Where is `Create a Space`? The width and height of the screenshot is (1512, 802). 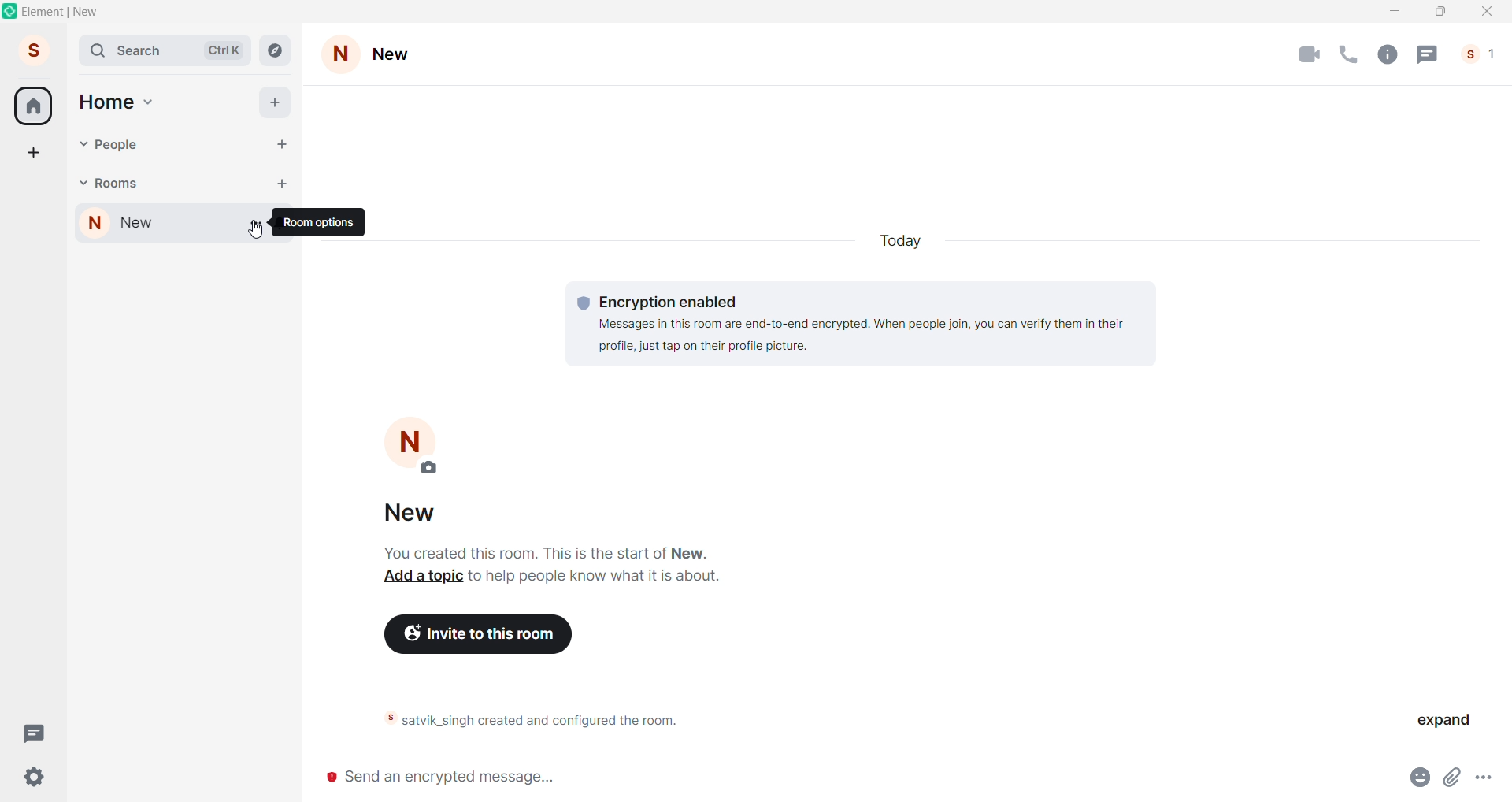 Create a Space is located at coordinates (32, 150).